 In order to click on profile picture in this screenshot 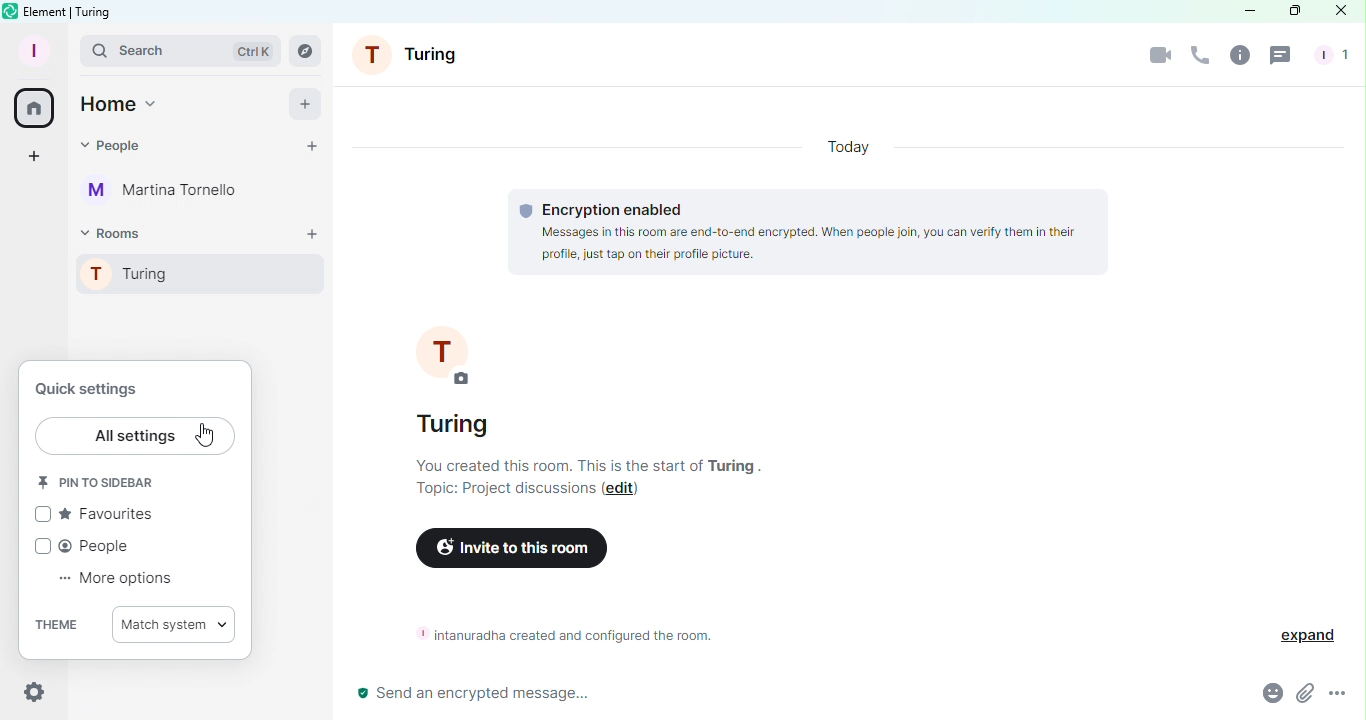, I will do `click(451, 355)`.